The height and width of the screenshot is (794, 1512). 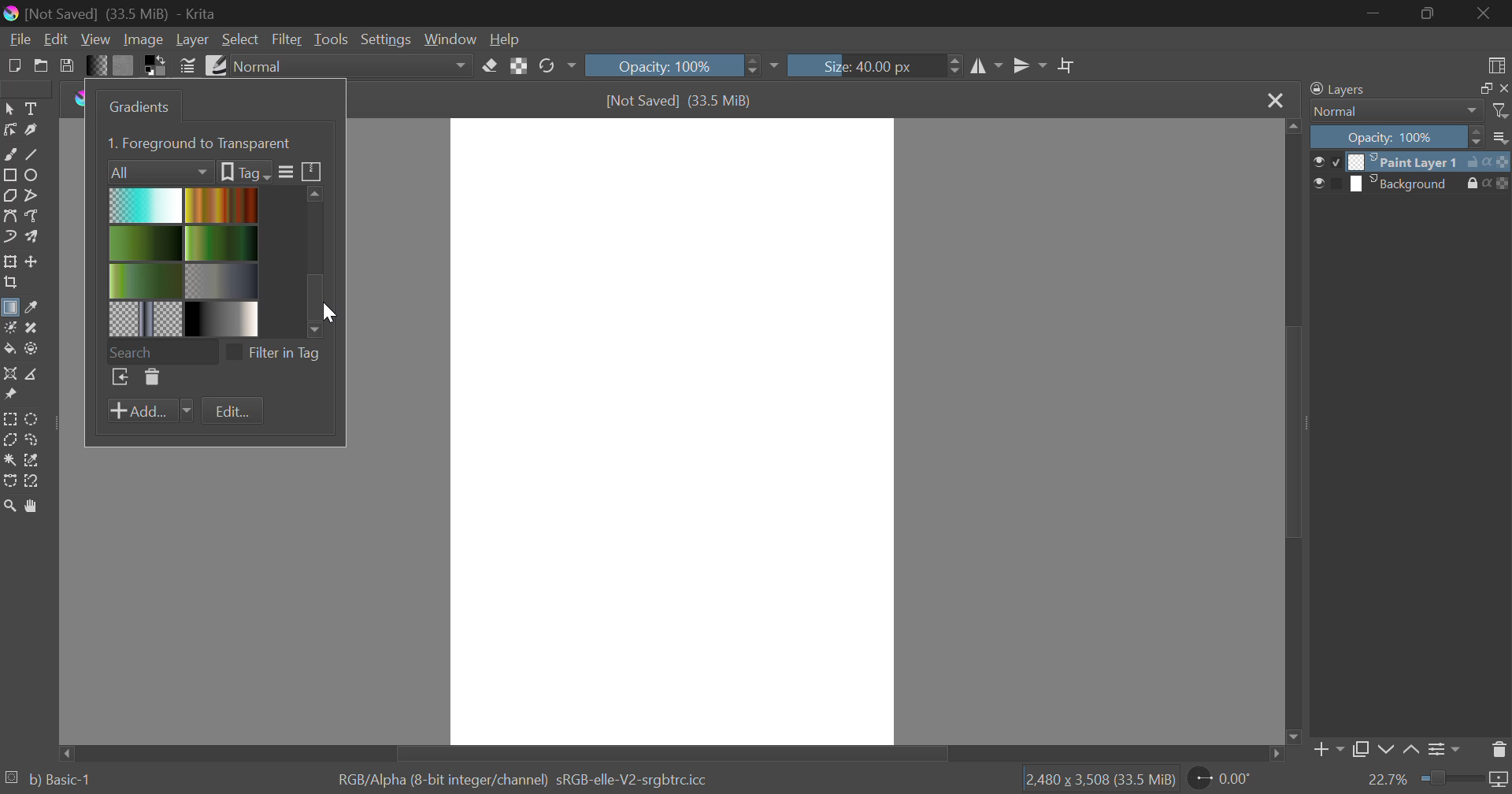 What do you see at coordinates (9, 349) in the screenshot?
I see `Fill` at bounding box center [9, 349].